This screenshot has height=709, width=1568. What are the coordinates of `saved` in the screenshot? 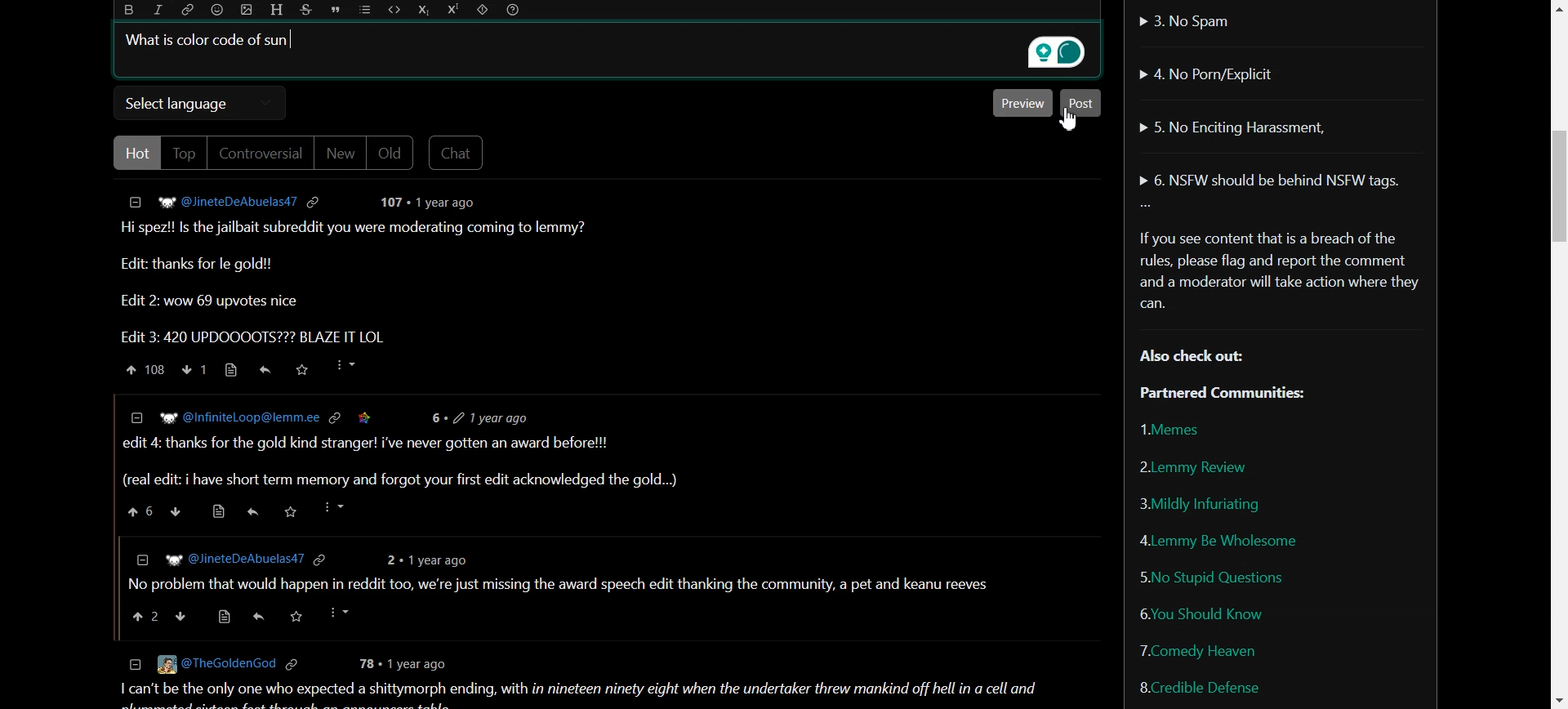 It's located at (292, 512).